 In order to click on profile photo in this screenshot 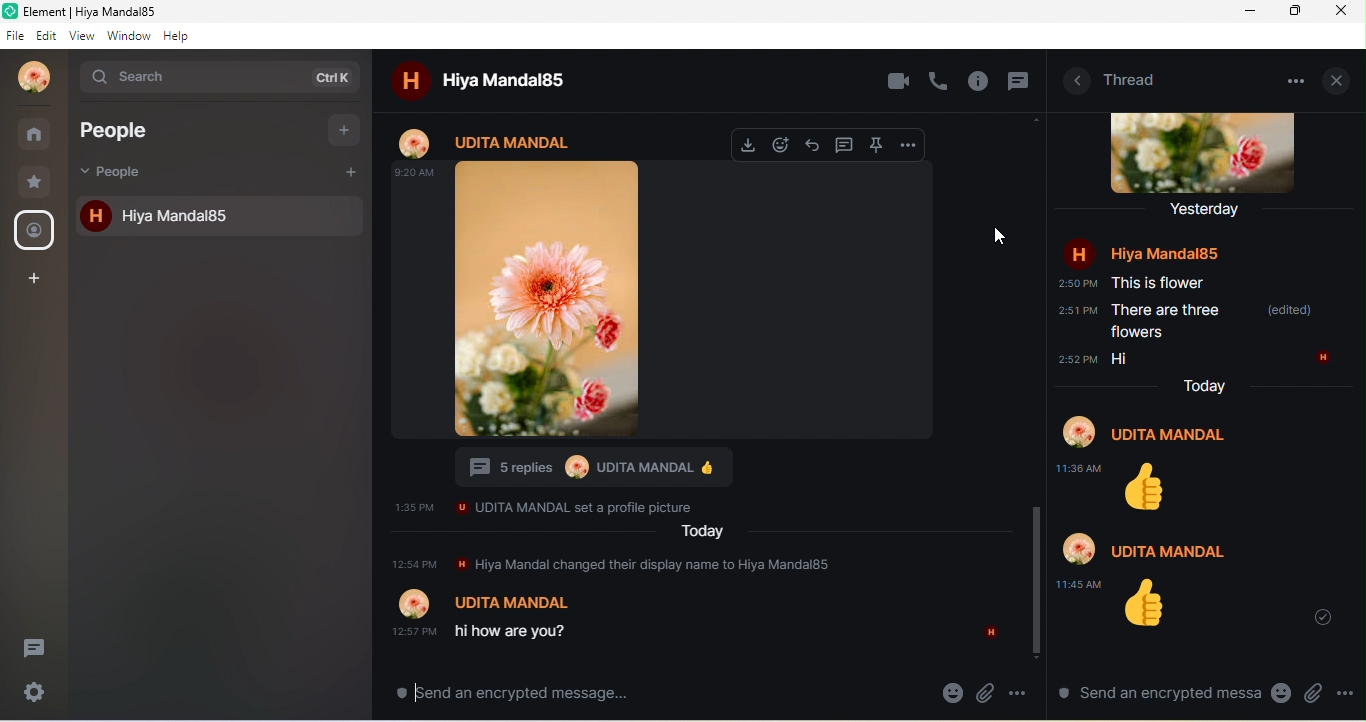, I will do `click(35, 78)`.